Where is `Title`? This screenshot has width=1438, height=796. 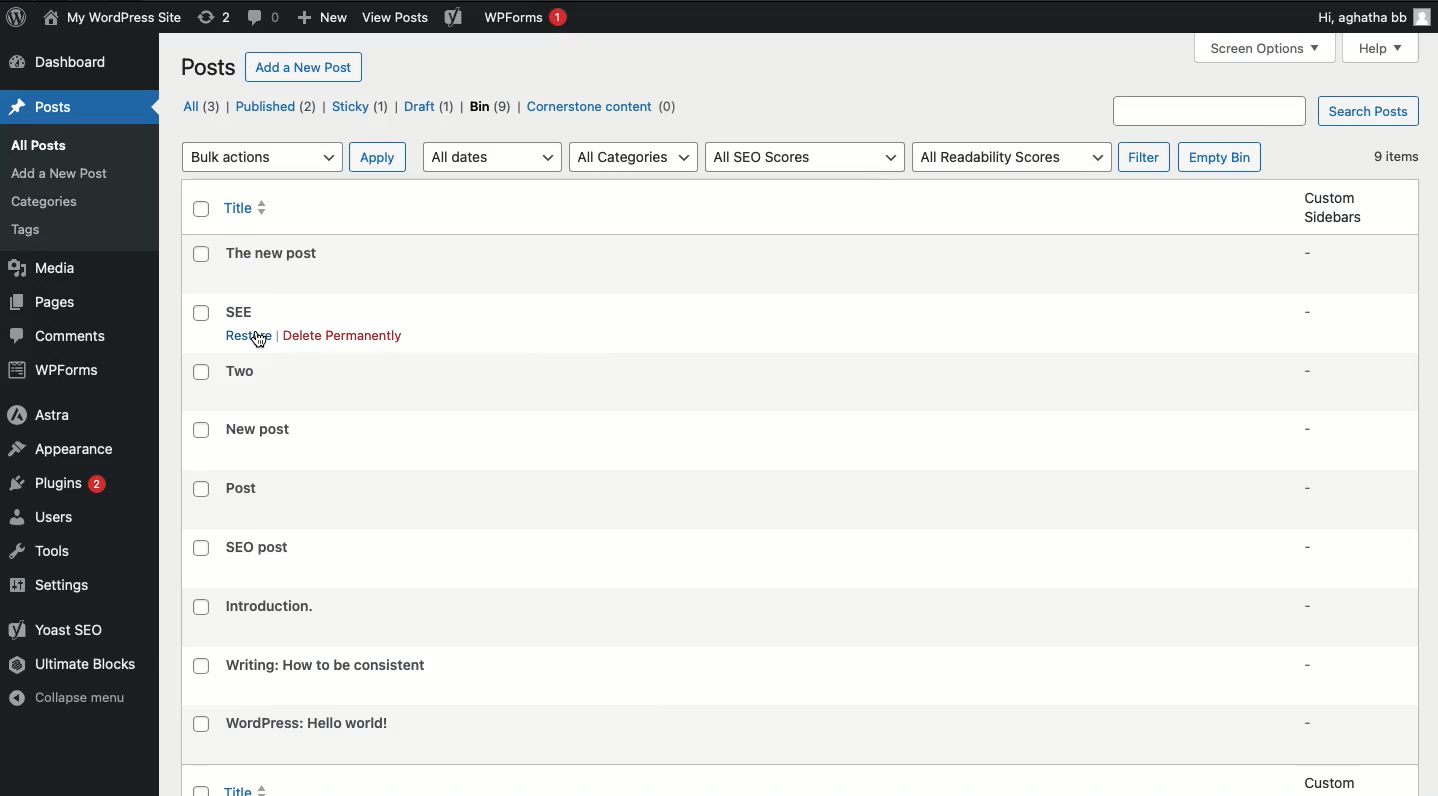 Title is located at coordinates (261, 430).